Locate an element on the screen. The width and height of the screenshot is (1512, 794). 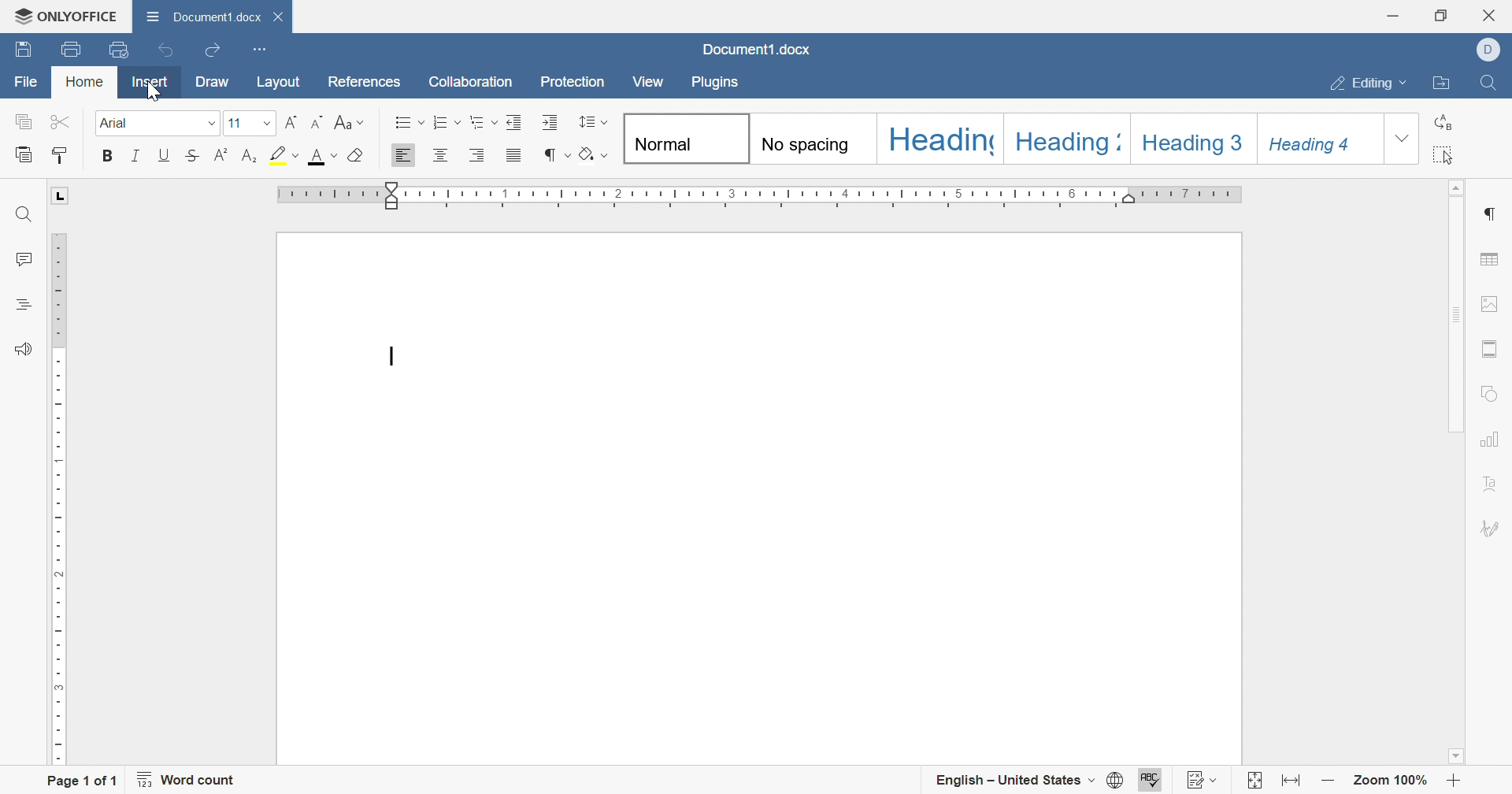
Draw is located at coordinates (210, 82).